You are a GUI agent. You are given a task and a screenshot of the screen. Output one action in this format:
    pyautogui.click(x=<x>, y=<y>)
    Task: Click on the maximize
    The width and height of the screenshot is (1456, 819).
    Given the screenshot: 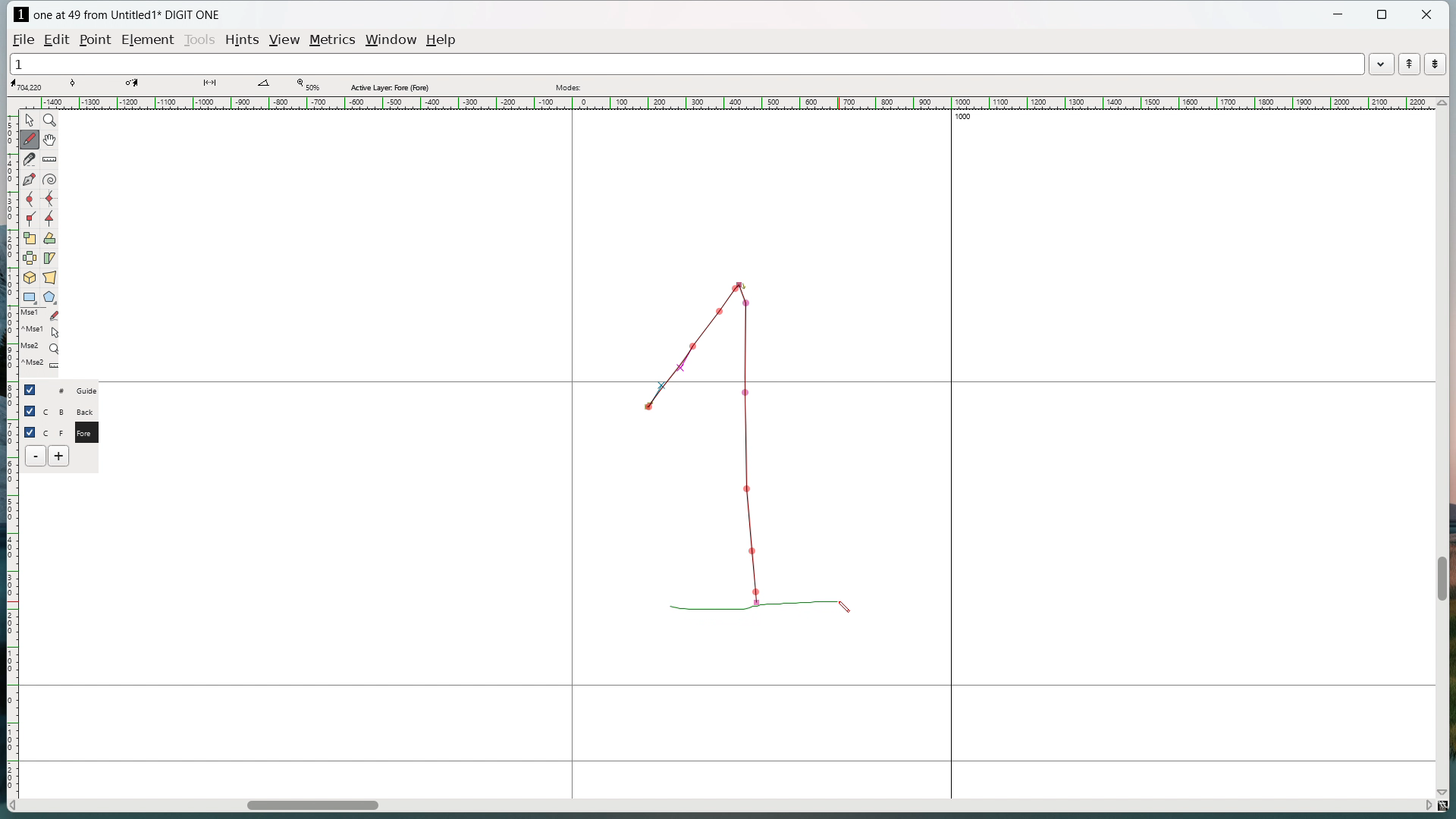 What is the action you would take?
    pyautogui.click(x=1383, y=15)
    